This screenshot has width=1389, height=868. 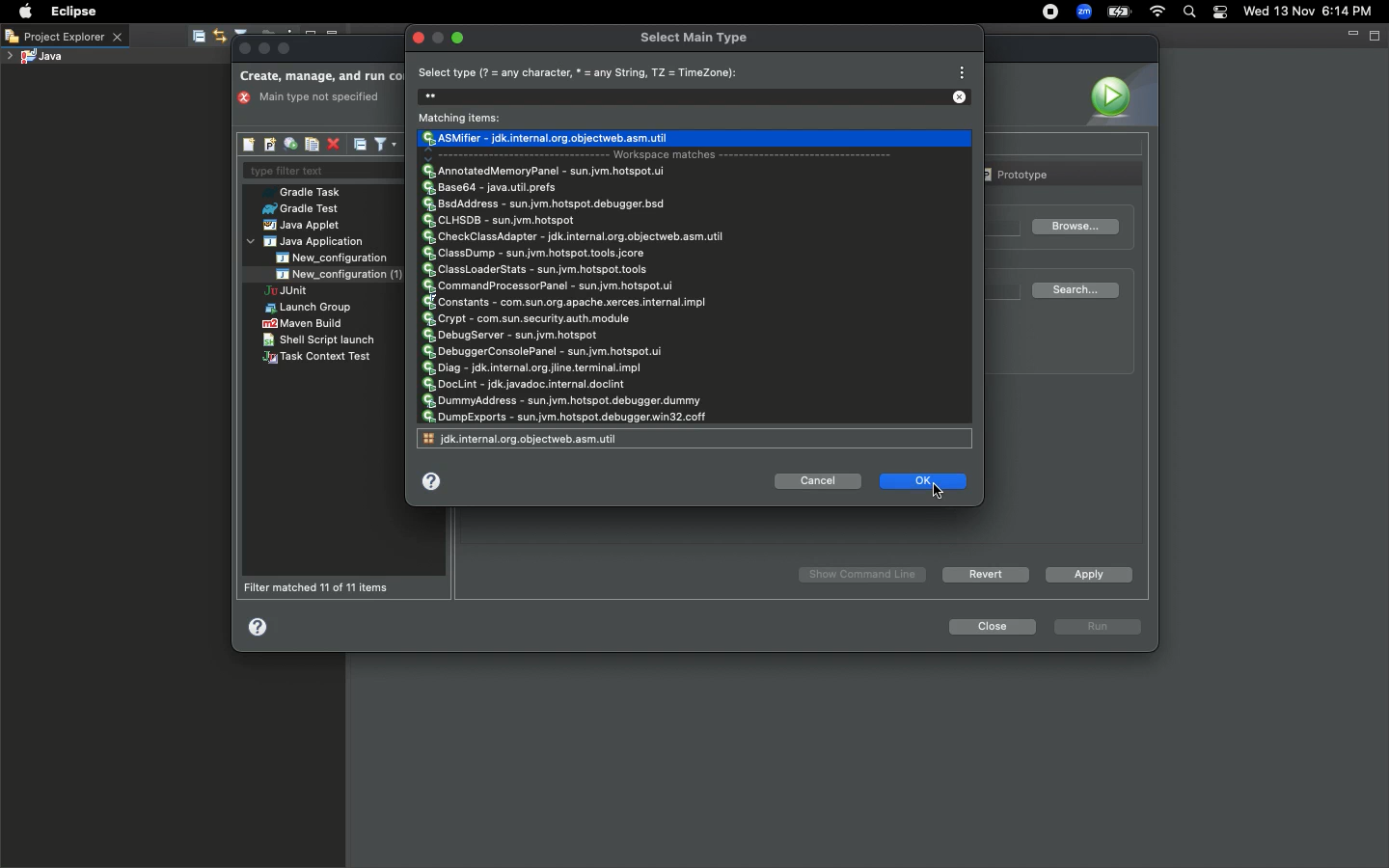 What do you see at coordinates (437, 483) in the screenshot?
I see `Help` at bounding box center [437, 483].